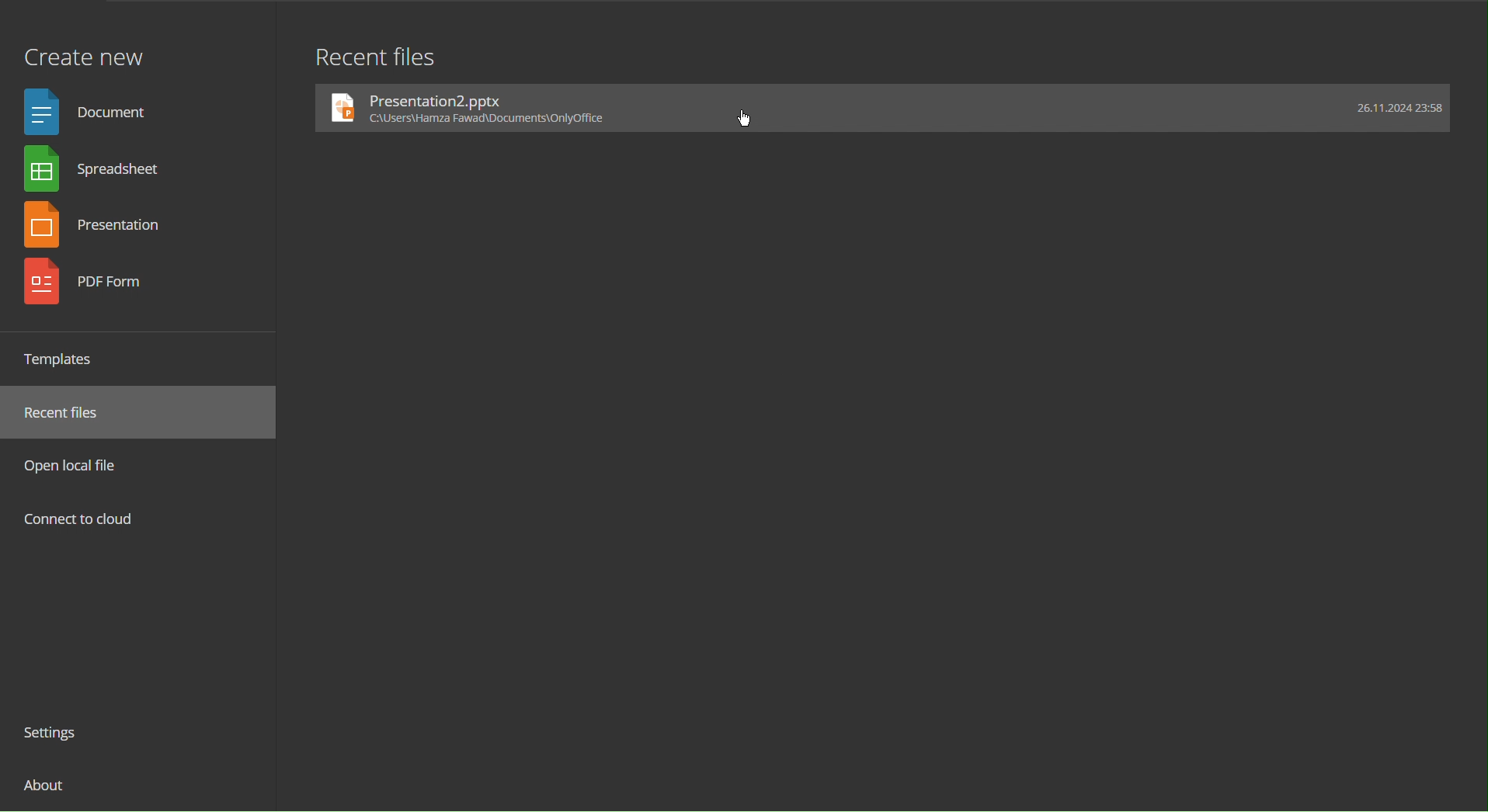 The height and width of the screenshot is (812, 1488). Describe the element at coordinates (57, 735) in the screenshot. I see `Settings` at that location.